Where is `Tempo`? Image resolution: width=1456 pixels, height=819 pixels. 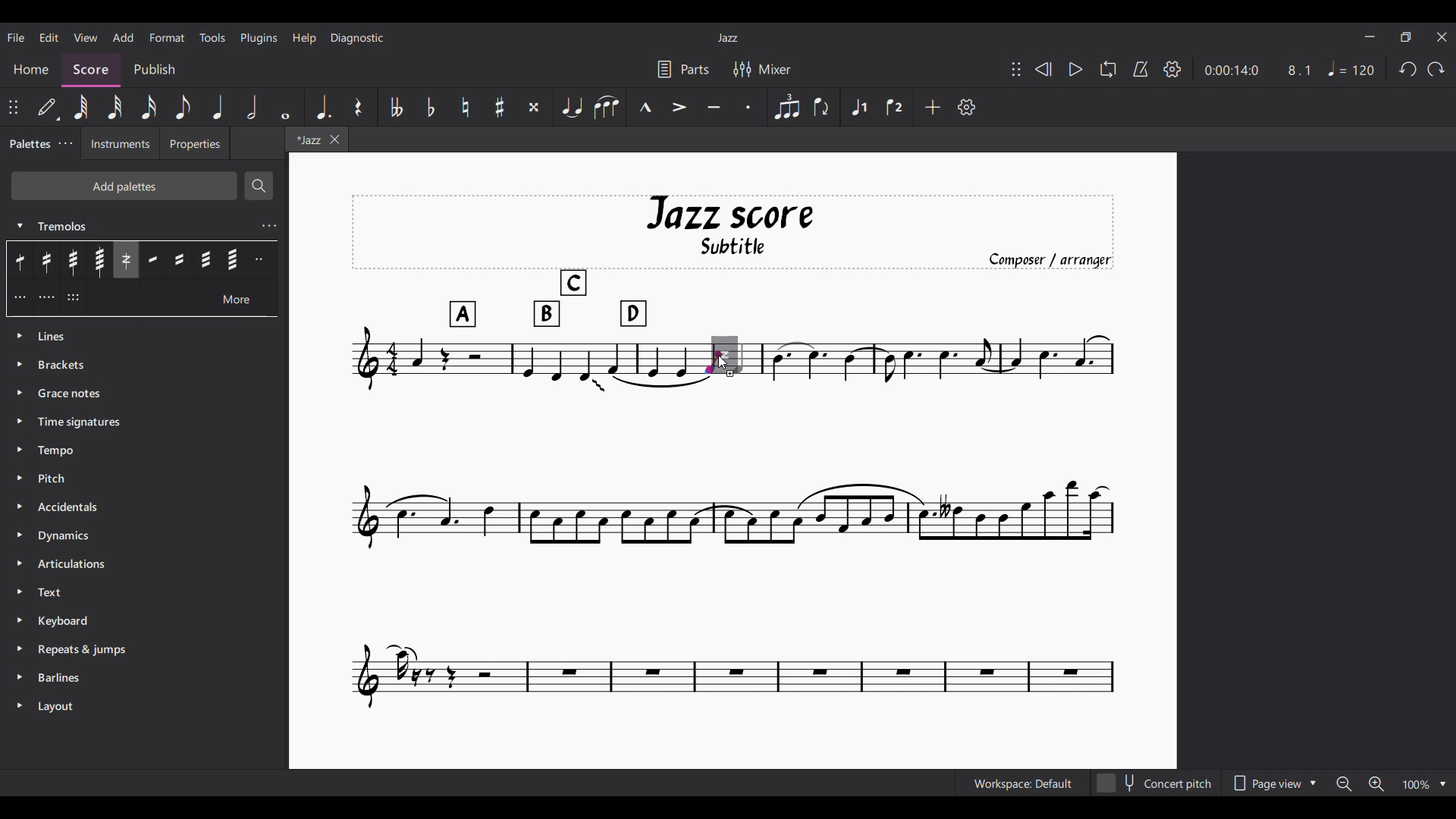
Tempo is located at coordinates (145, 450).